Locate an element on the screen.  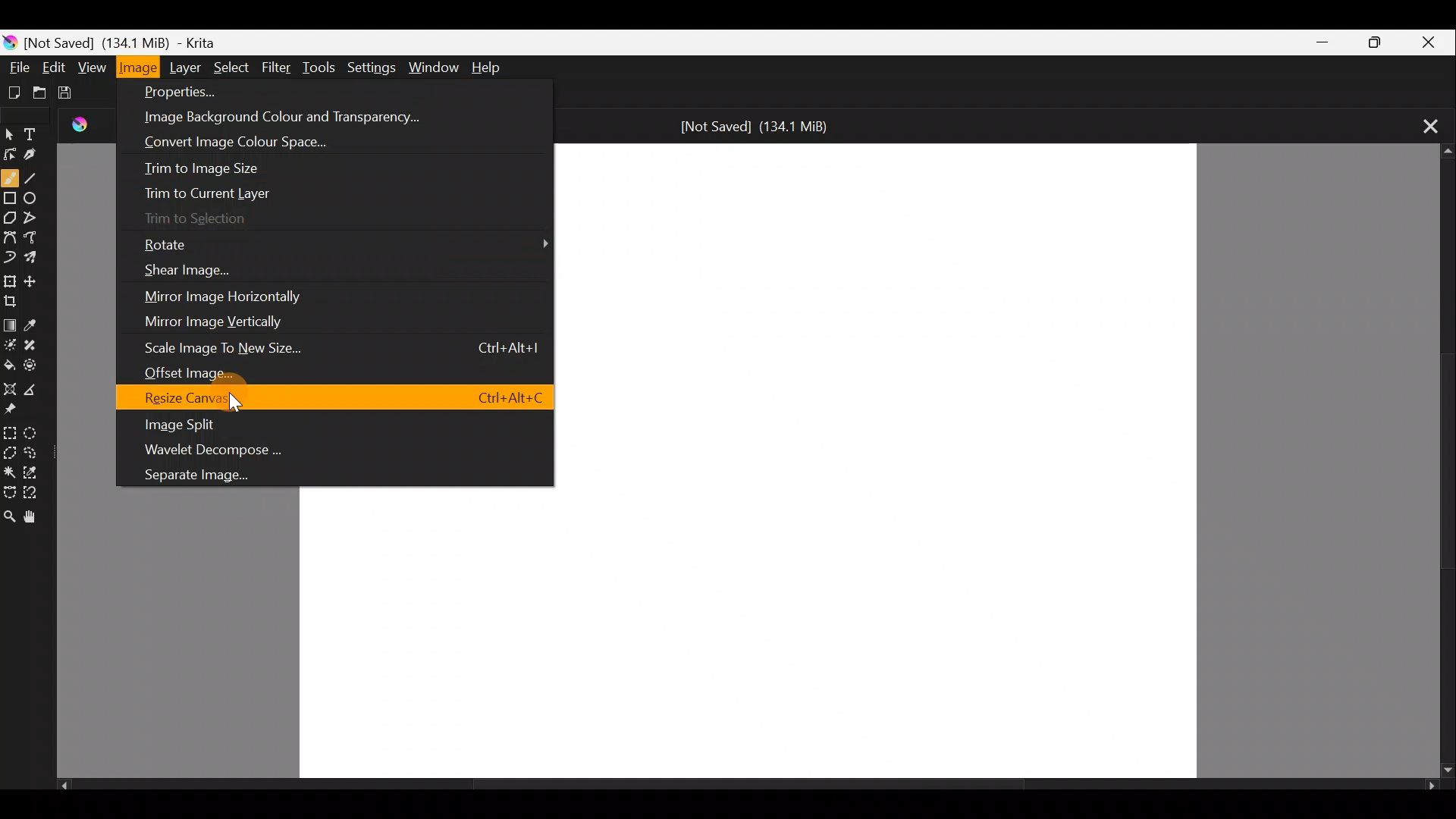
Select shapes tool is located at coordinates (11, 130).